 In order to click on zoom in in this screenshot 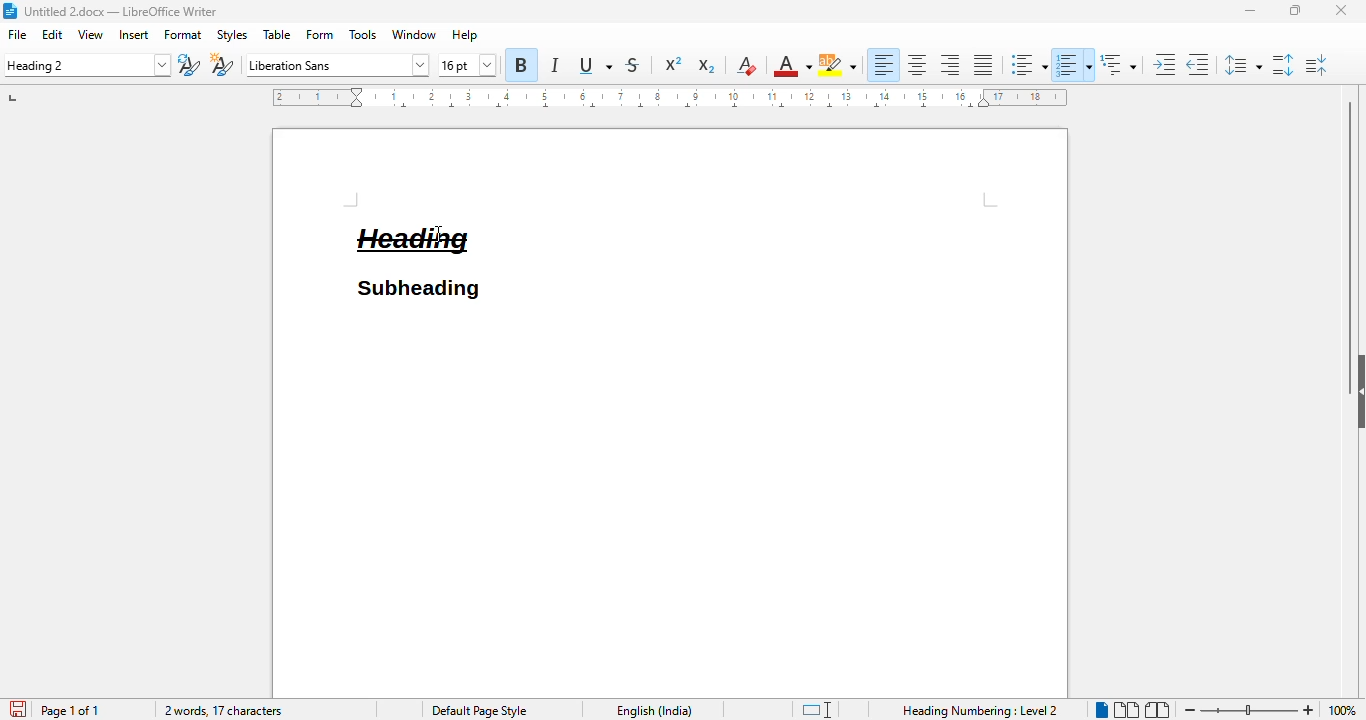, I will do `click(1310, 710)`.